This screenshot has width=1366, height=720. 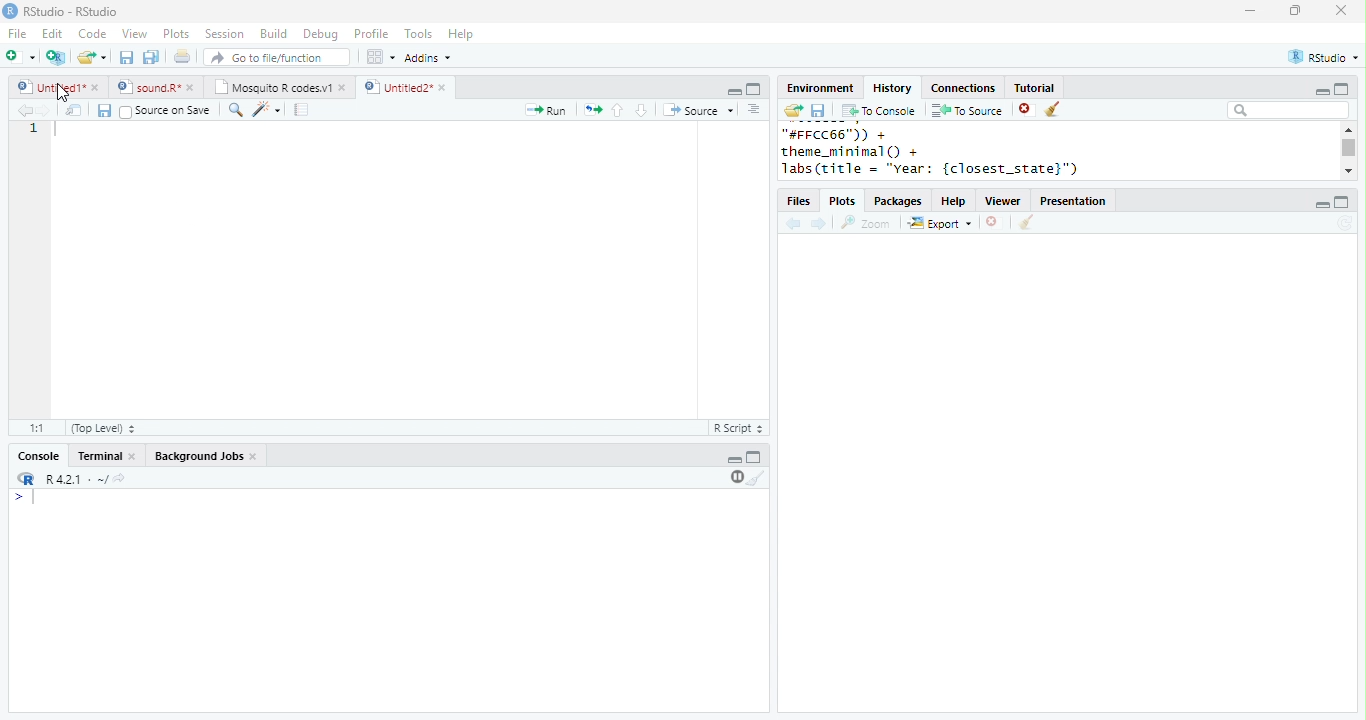 I want to click on RStudio, so click(x=1324, y=56).